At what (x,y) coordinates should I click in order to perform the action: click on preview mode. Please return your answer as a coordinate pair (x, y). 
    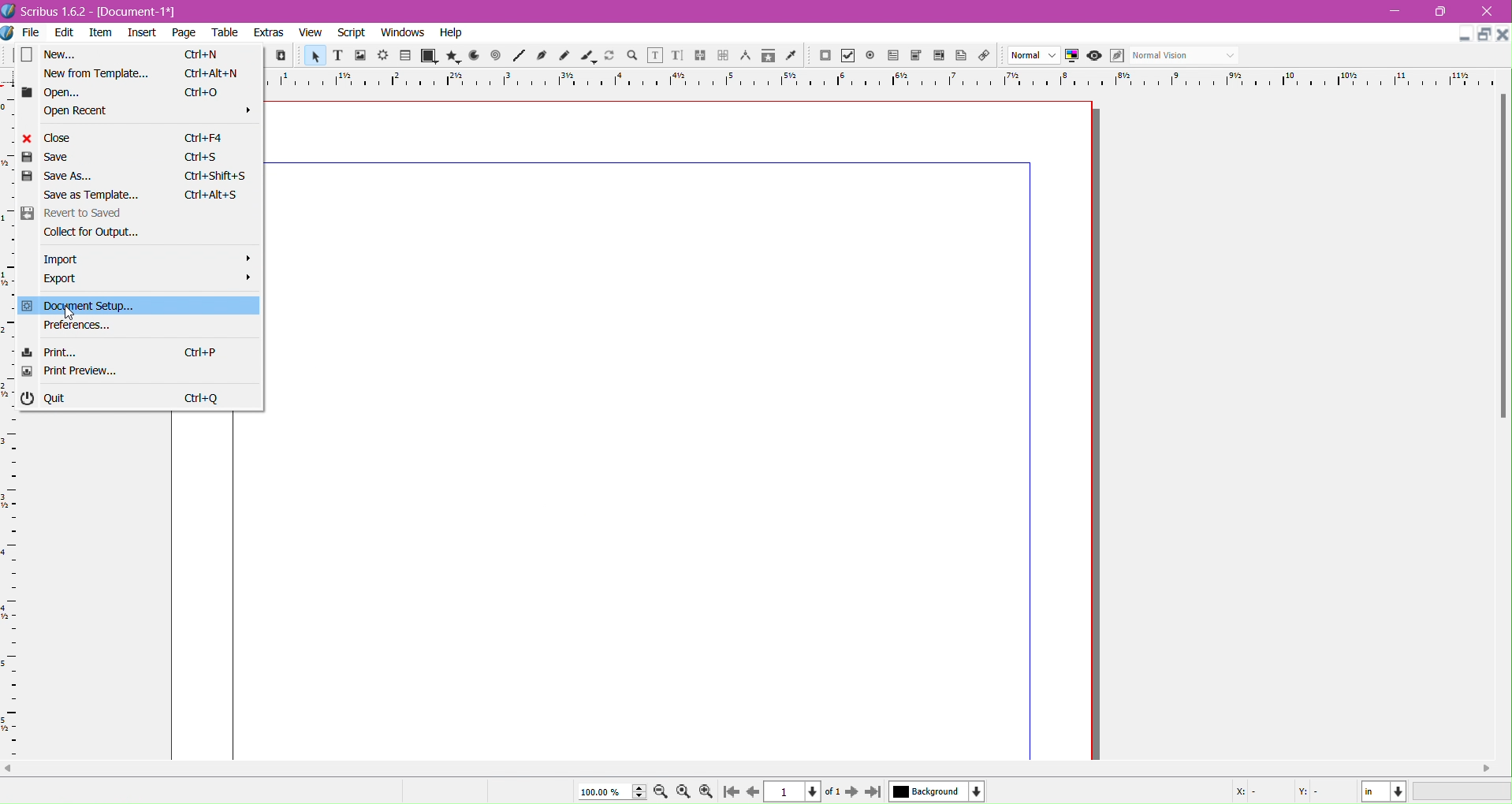
    Looking at the image, I should click on (1093, 56).